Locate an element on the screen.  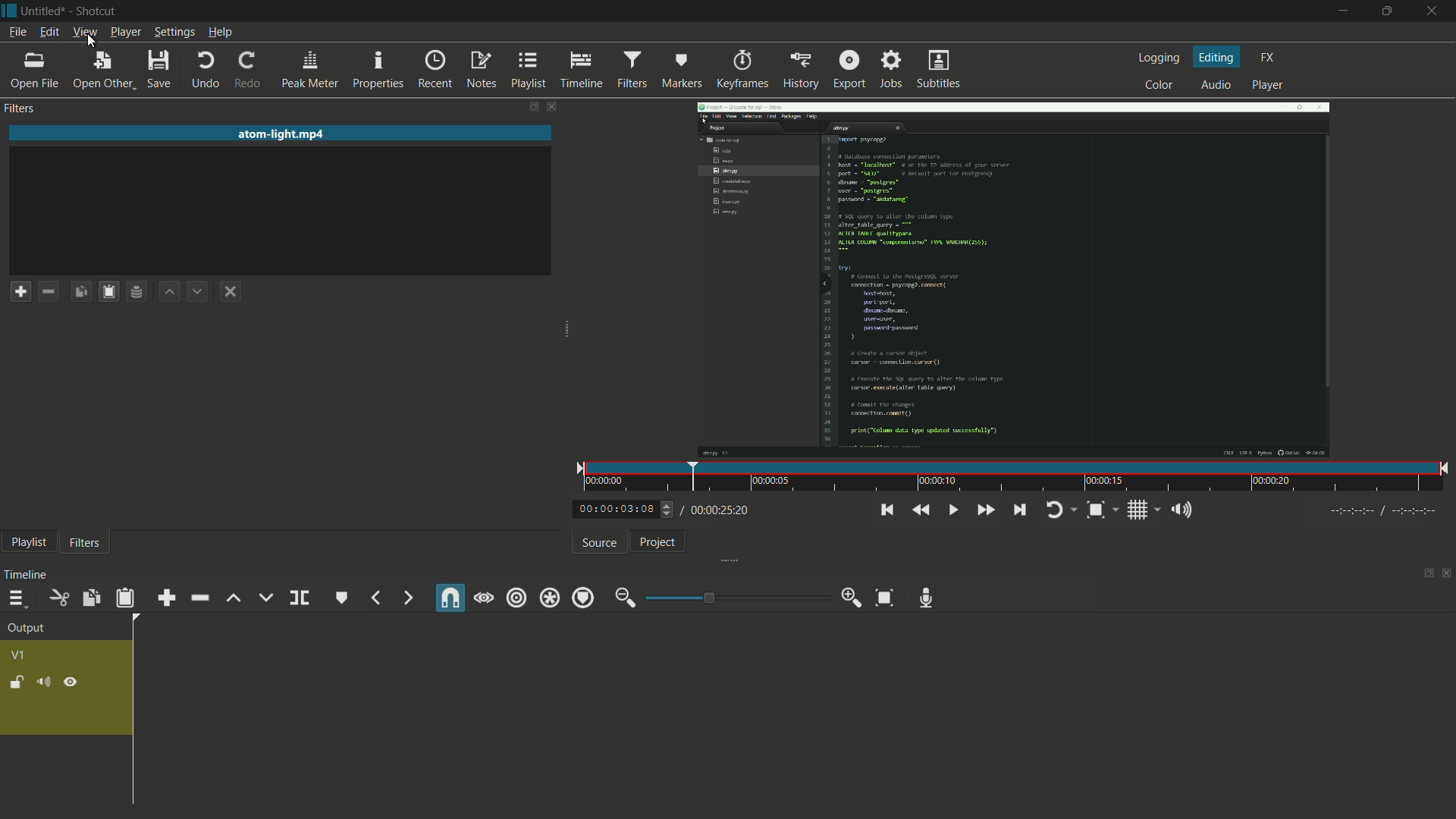
keyframes is located at coordinates (742, 70).